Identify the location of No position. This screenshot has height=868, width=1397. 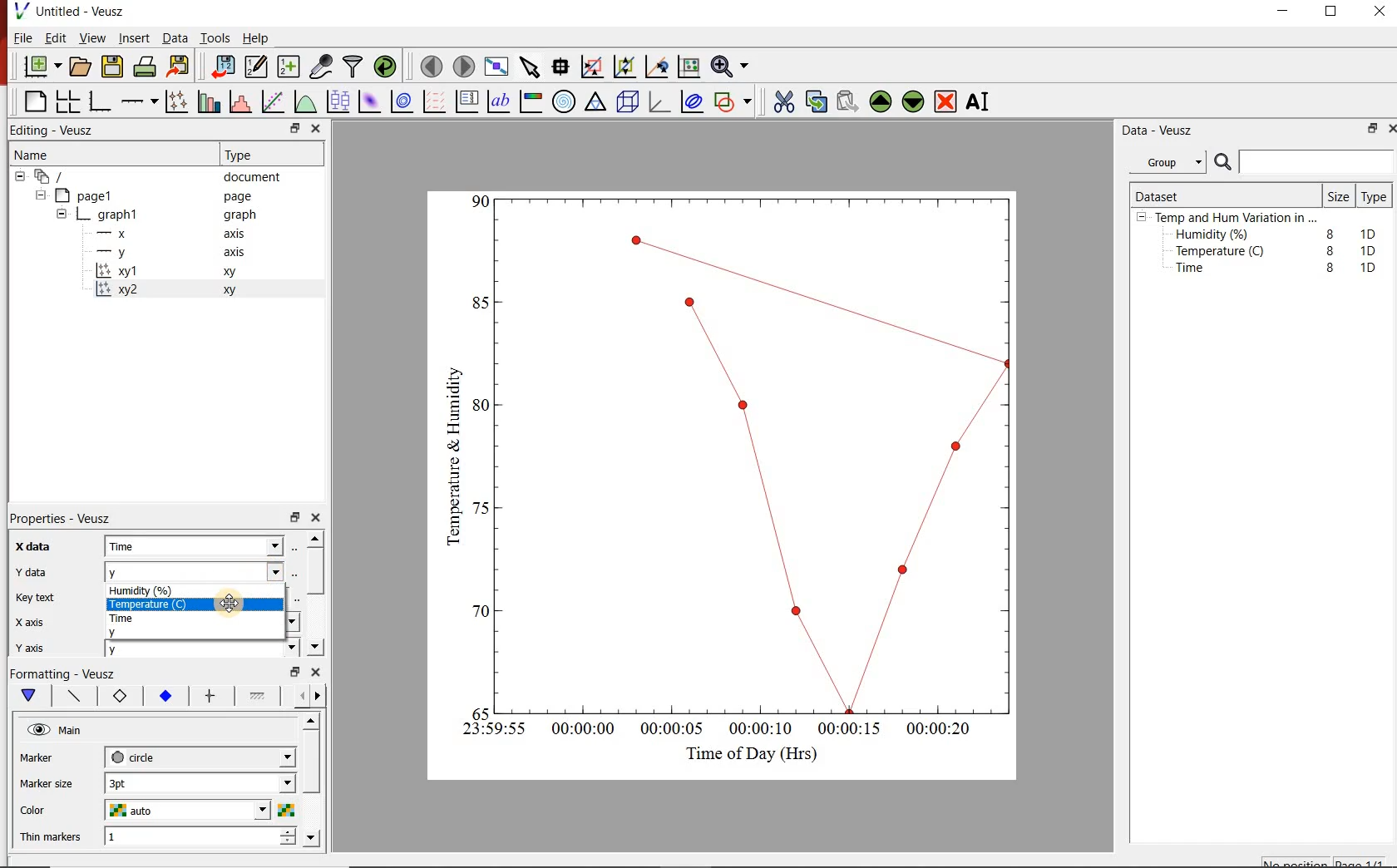
(1296, 862).